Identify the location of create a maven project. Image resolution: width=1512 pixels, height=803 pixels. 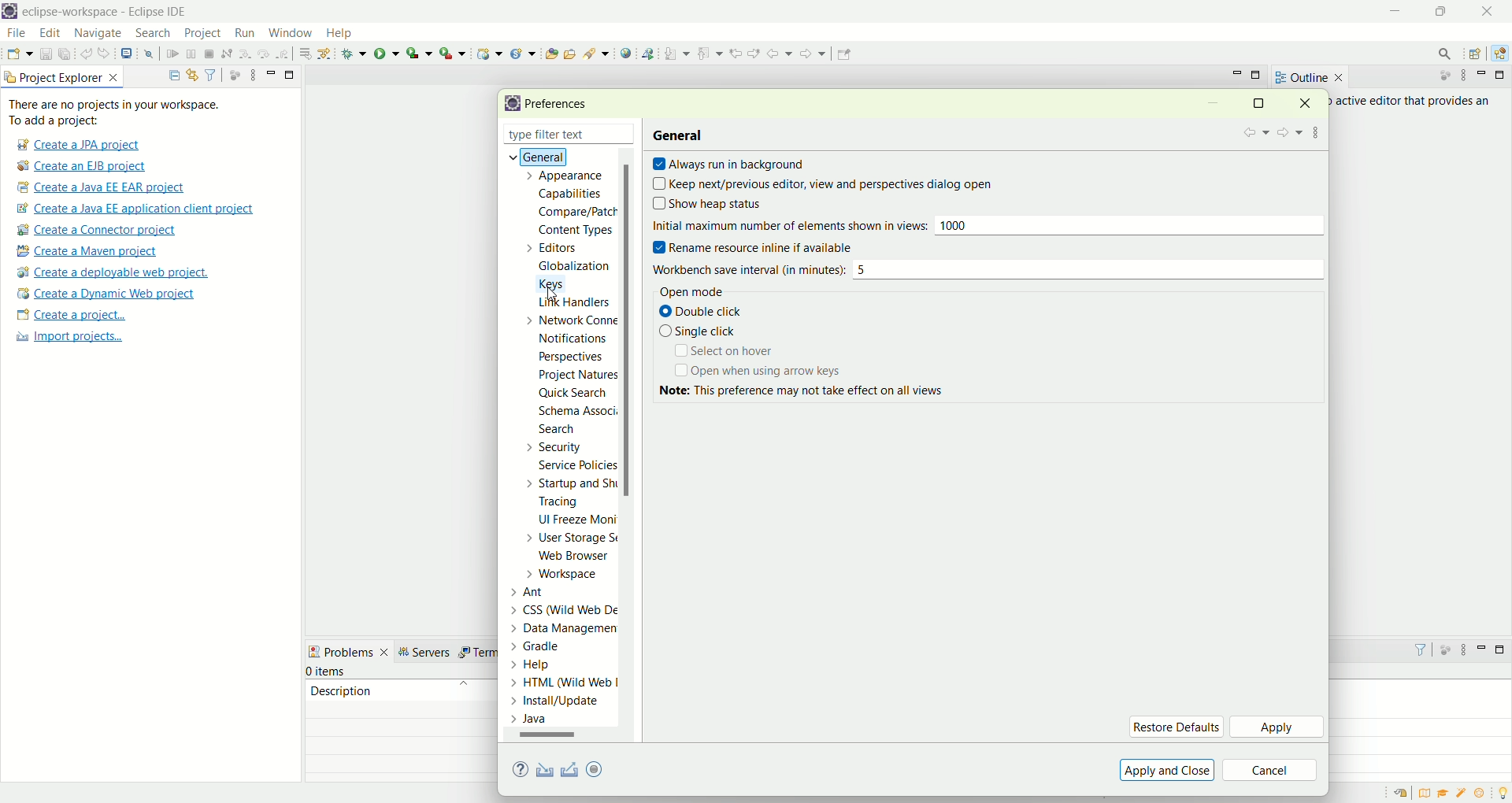
(92, 252).